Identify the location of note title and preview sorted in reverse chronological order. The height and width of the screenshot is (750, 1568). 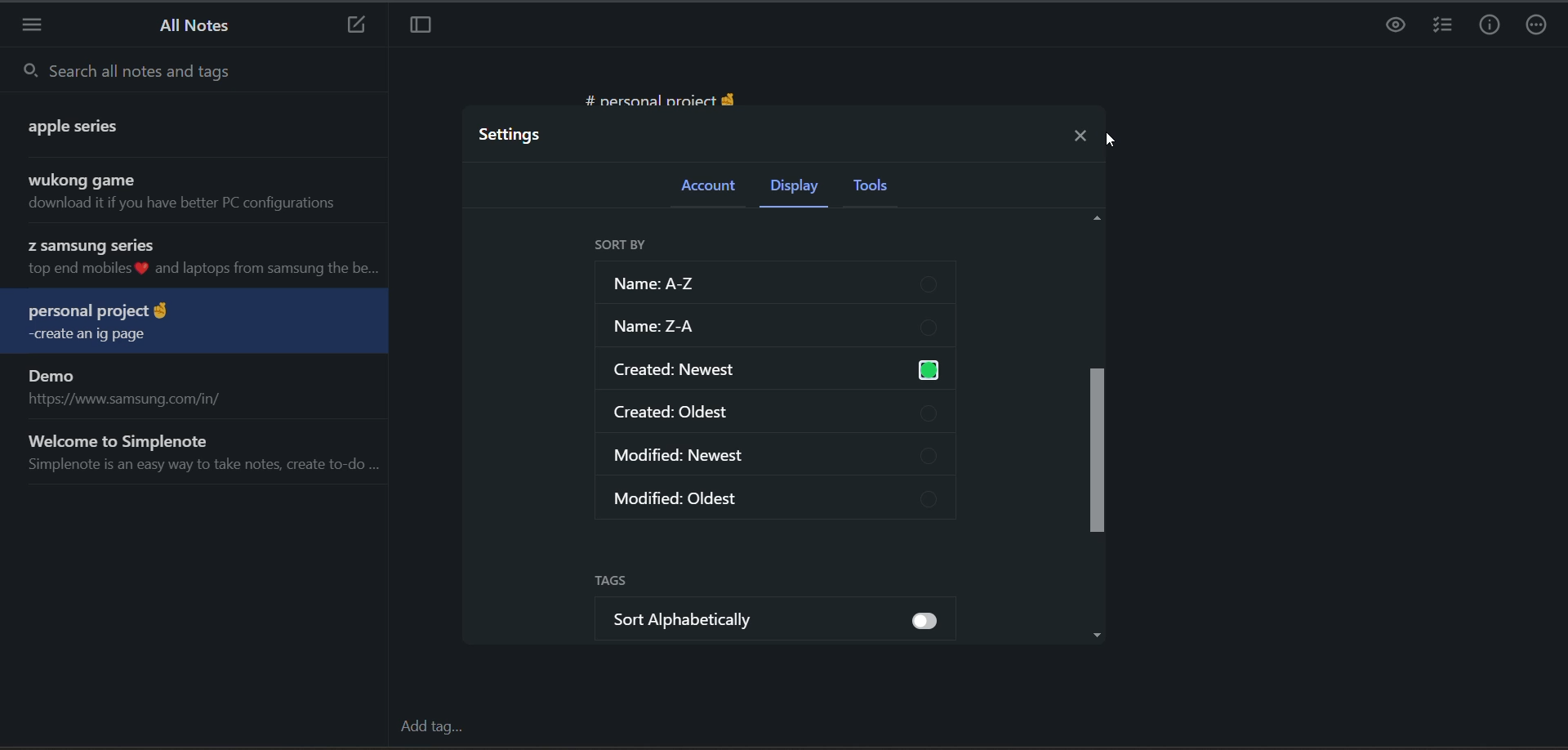
(87, 124).